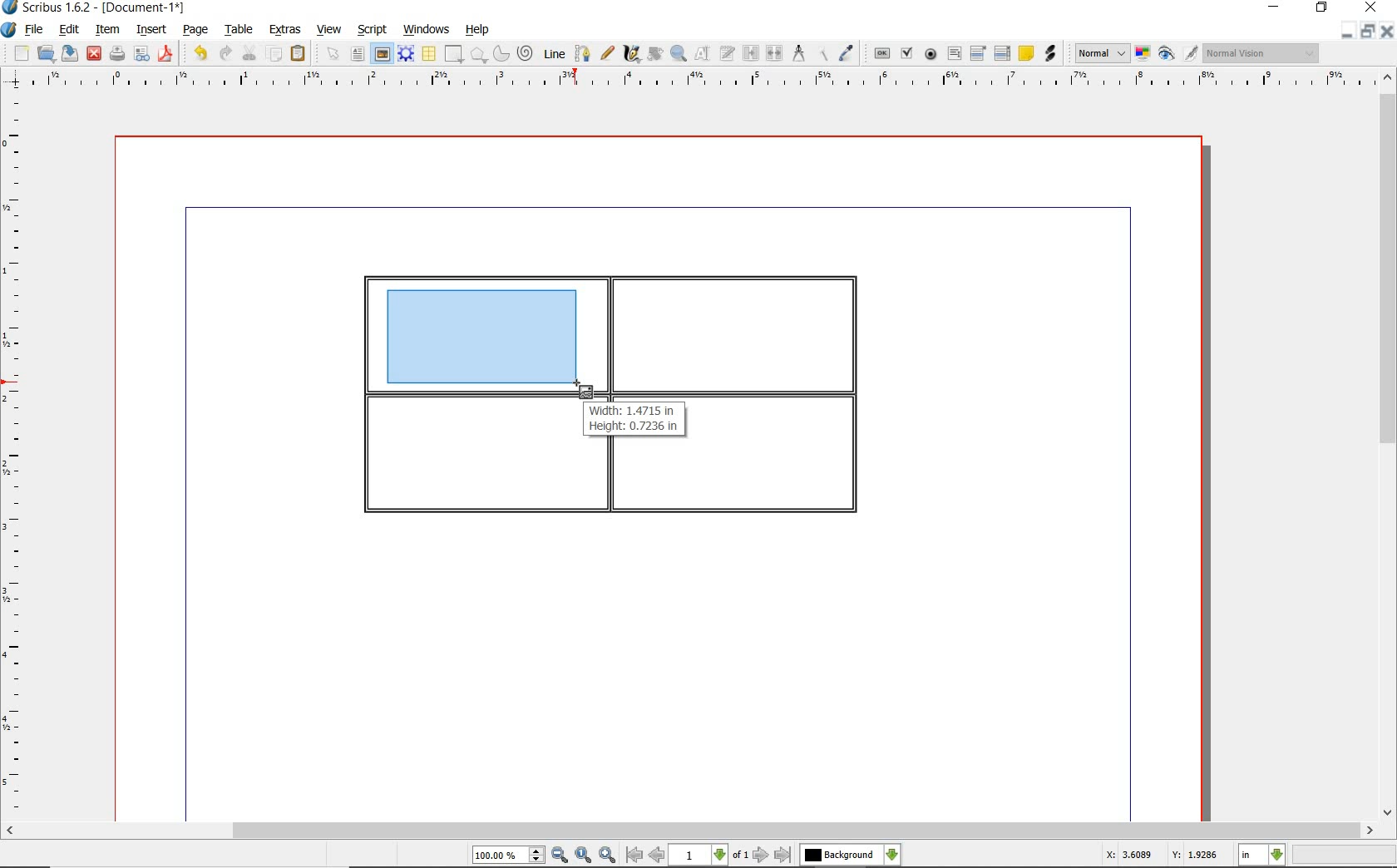  Describe the element at coordinates (165, 53) in the screenshot. I see `save as pdf` at that location.